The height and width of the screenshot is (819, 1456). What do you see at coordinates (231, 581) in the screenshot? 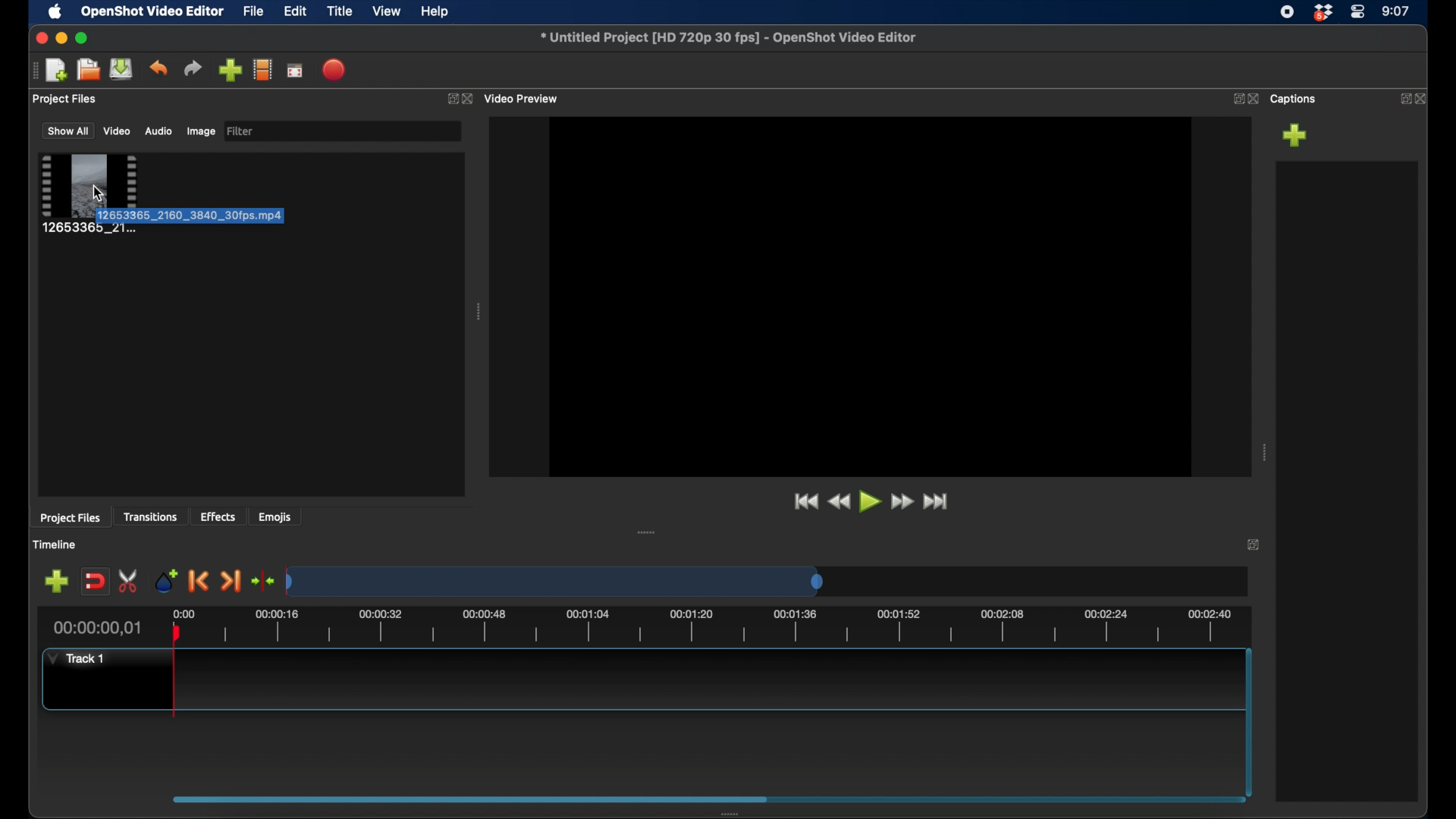
I see `next marker` at bounding box center [231, 581].